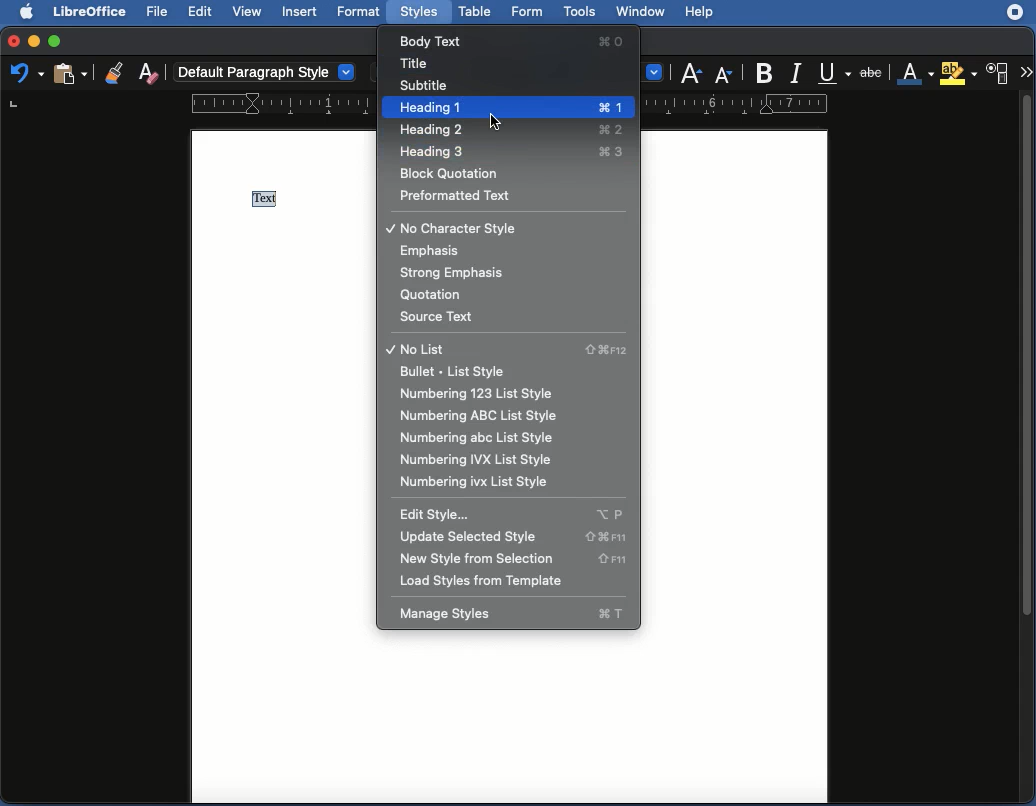 The height and width of the screenshot is (806, 1036). What do you see at coordinates (641, 14) in the screenshot?
I see `Window` at bounding box center [641, 14].